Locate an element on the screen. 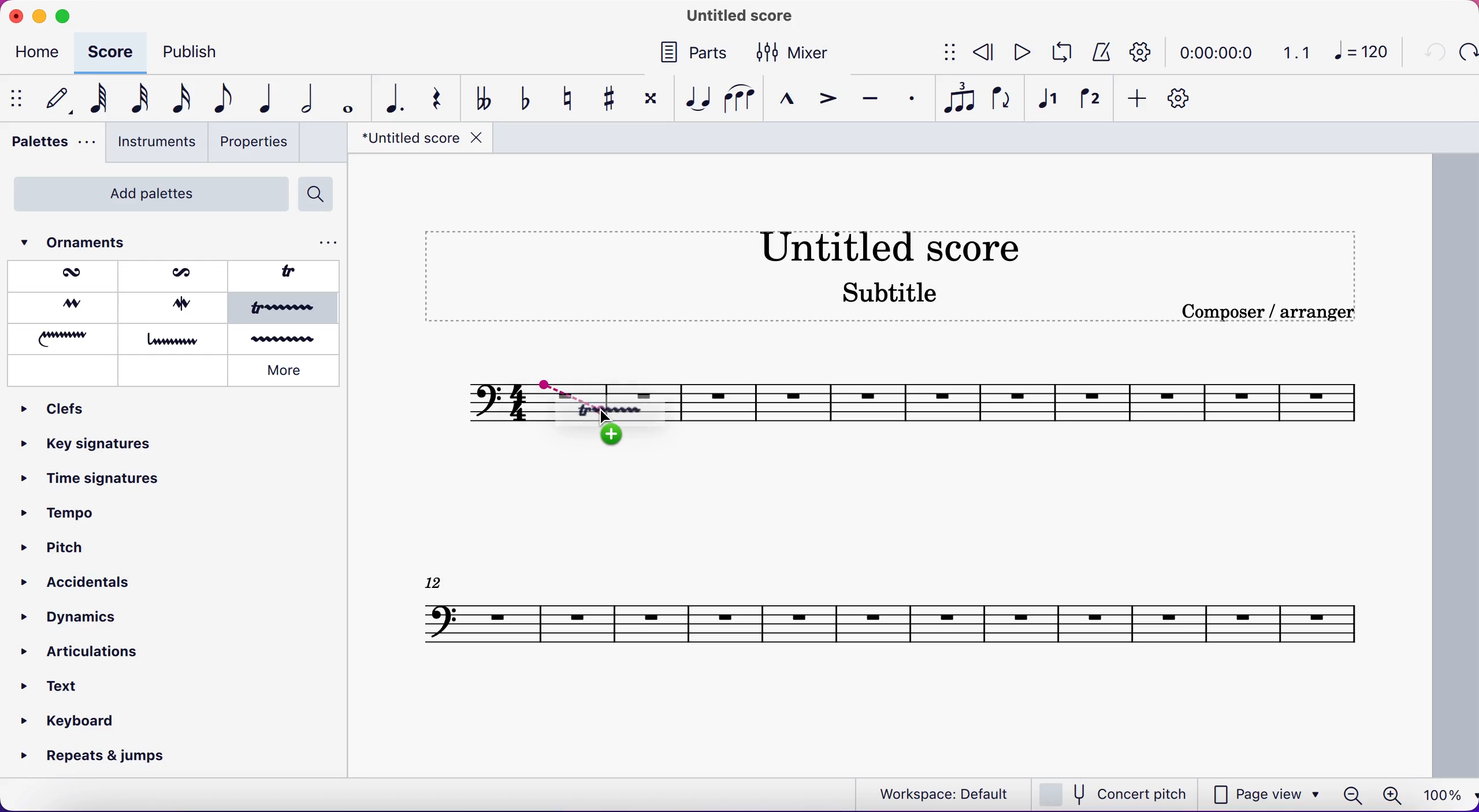 This screenshot has width=1479, height=812. palettes is located at coordinates (49, 145).